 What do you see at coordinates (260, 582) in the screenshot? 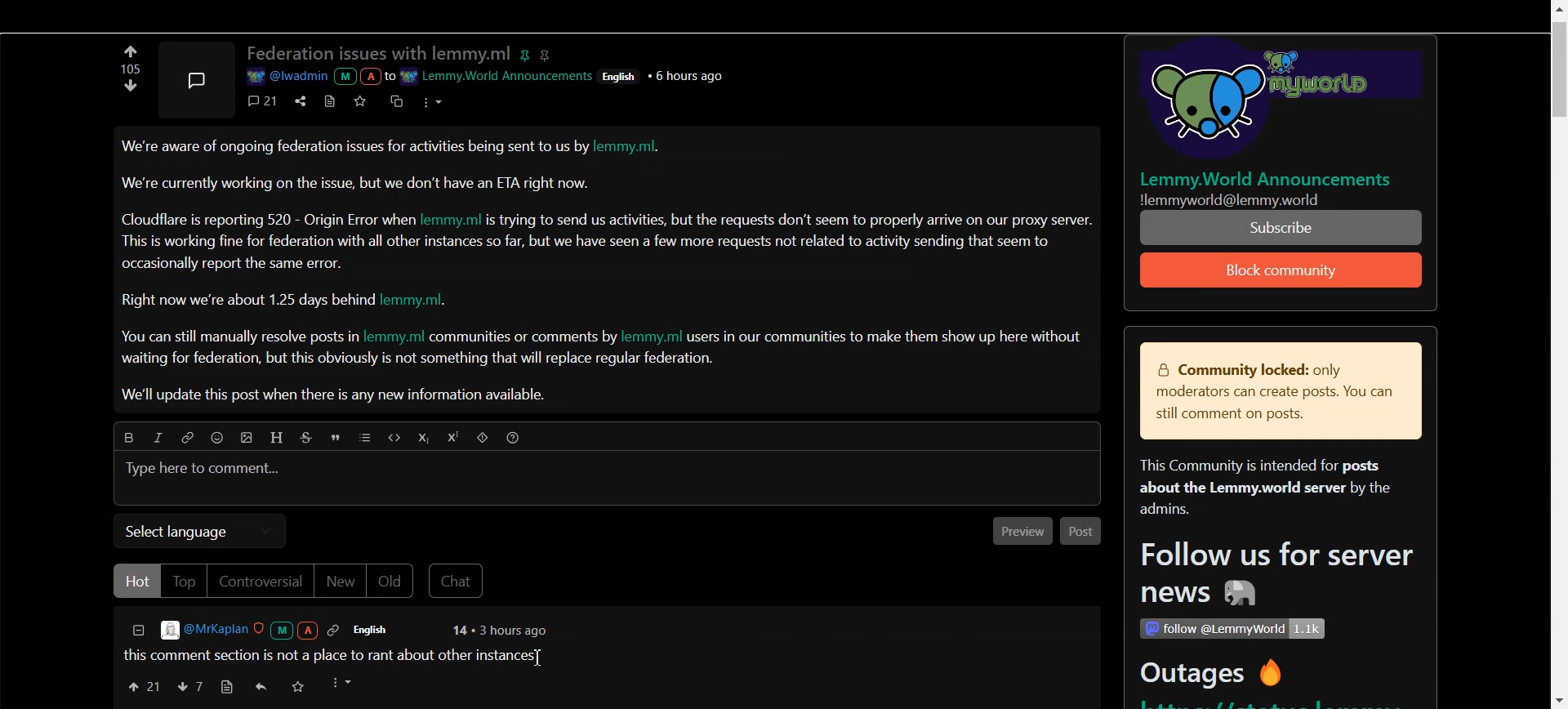
I see `Controversial` at bounding box center [260, 582].